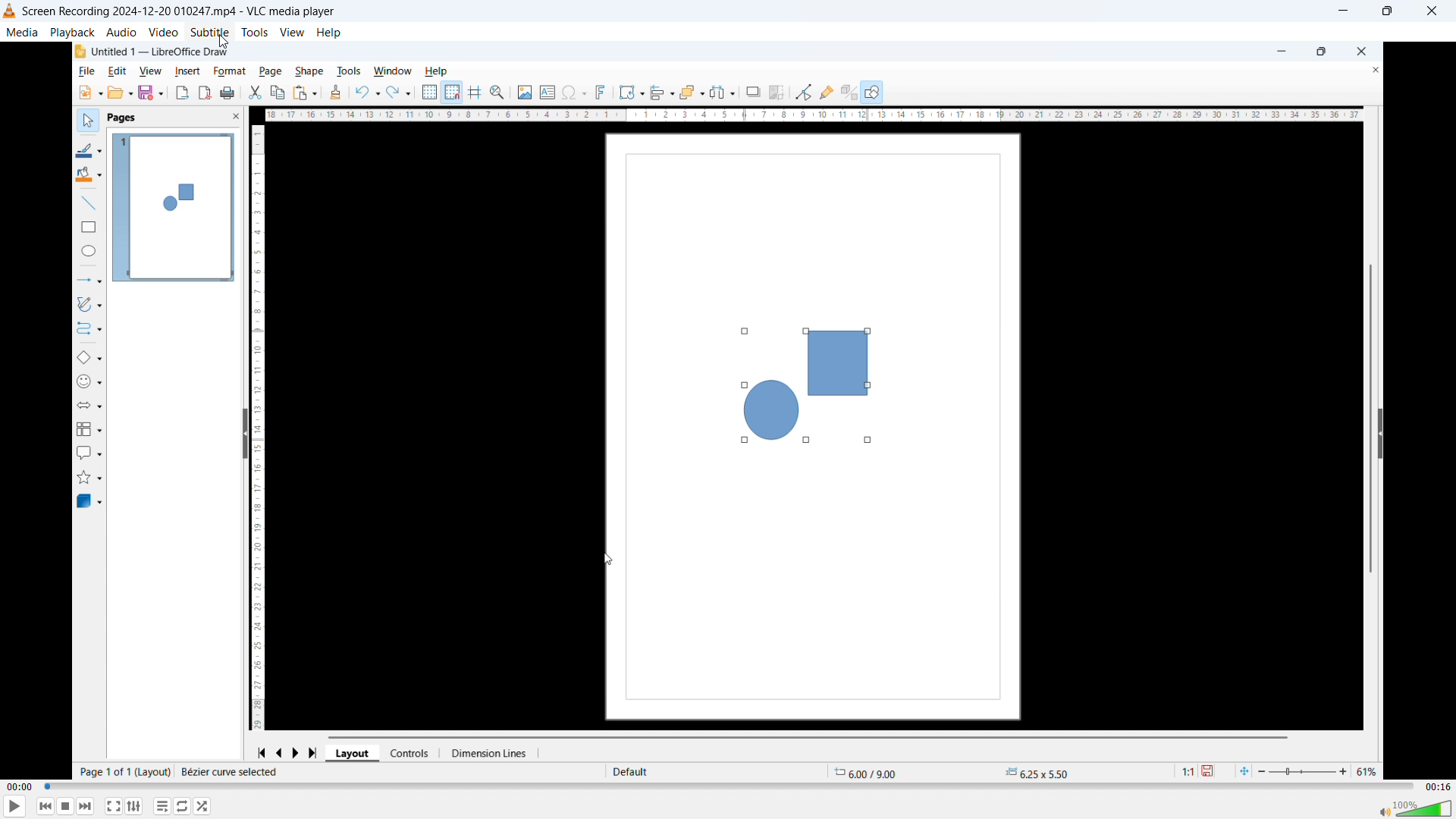  I want to click on copy, so click(278, 93).